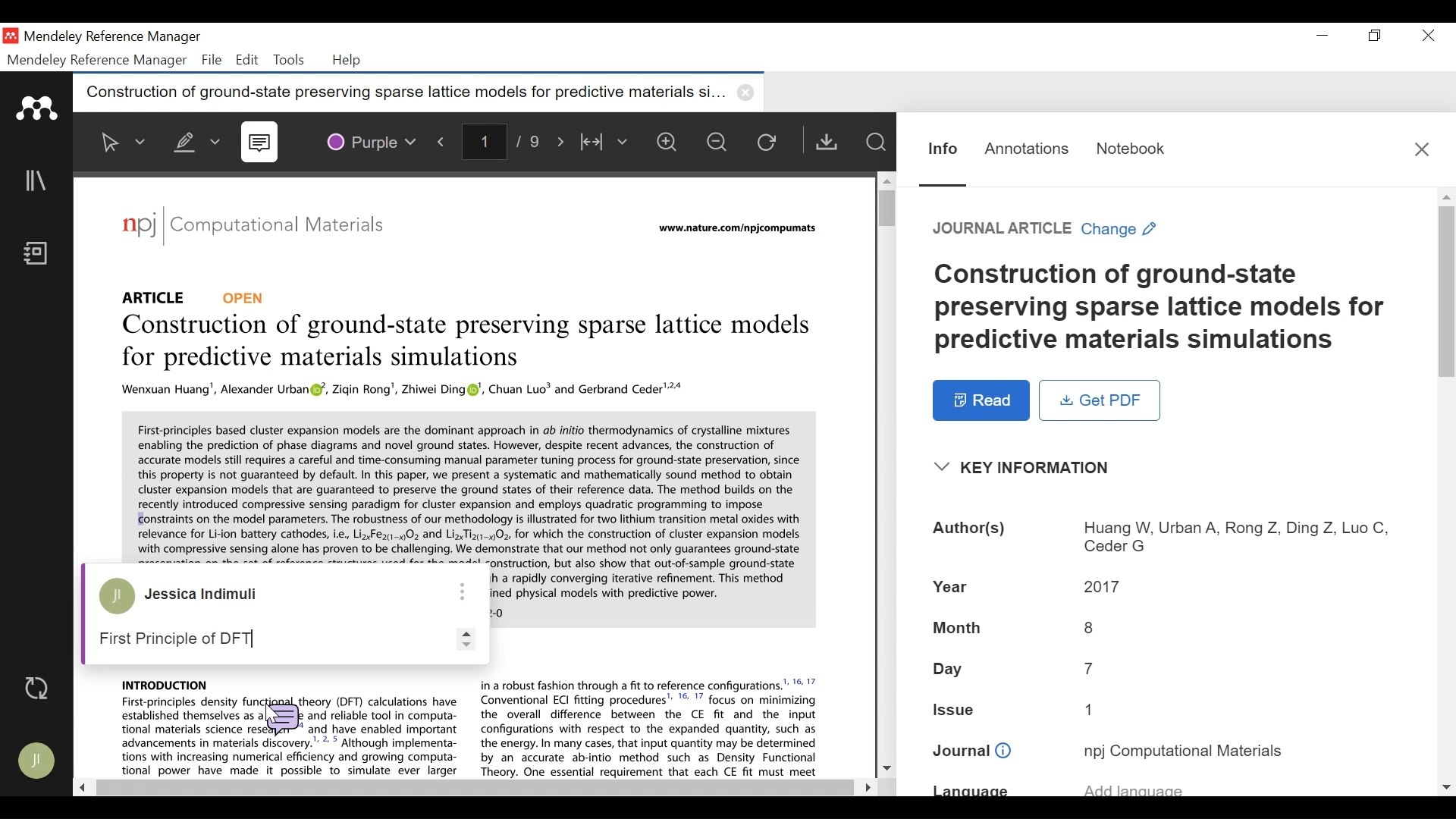  I want to click on Sticky Note, so click(262, 143).